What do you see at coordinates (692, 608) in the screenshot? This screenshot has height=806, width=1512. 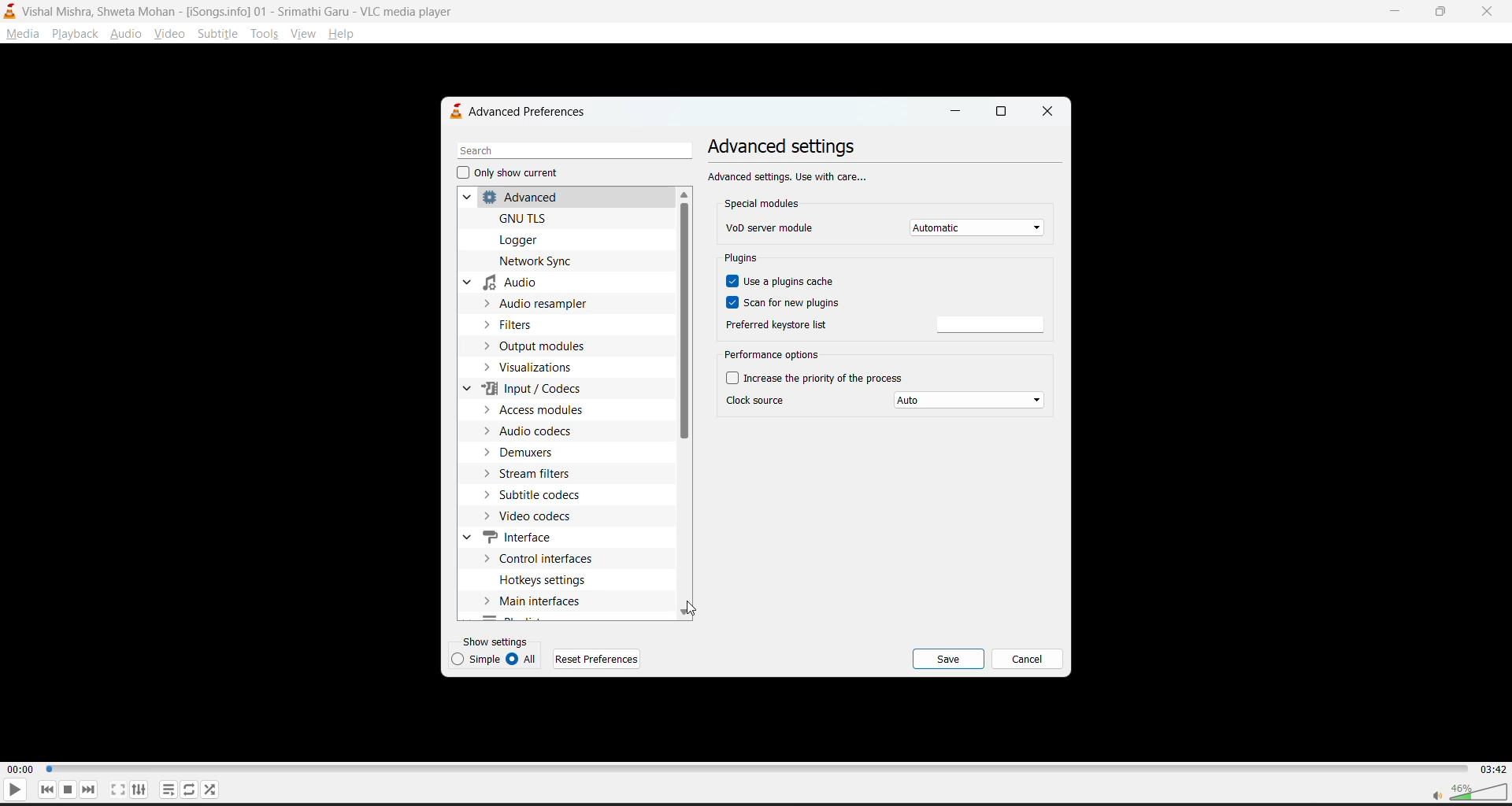 I see `cursor` at bounding box center [692, 608].